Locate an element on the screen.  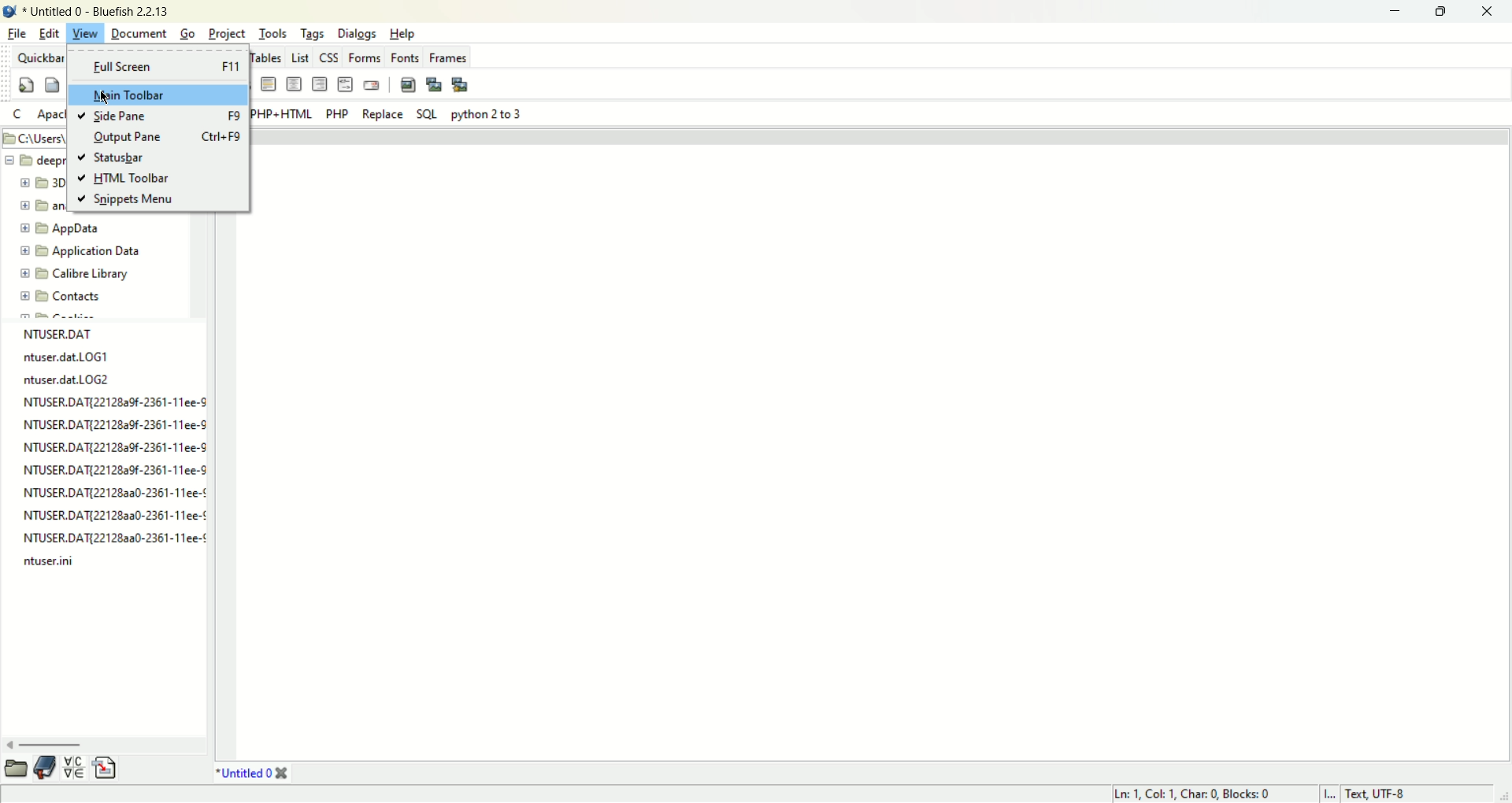
close is located at coordinates (1486, 12).